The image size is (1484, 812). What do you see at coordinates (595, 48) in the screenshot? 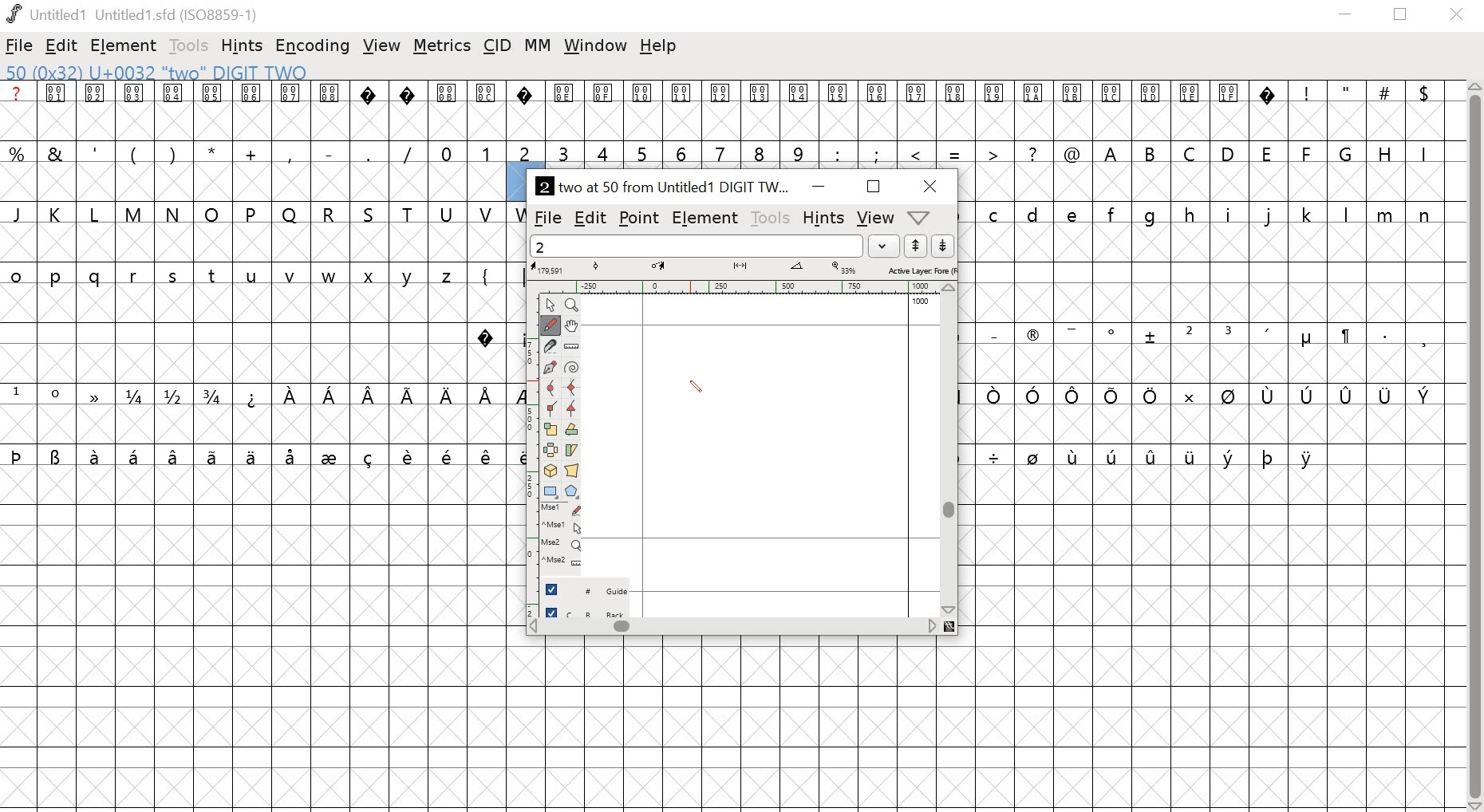
I see `window` at bounding box center [595, 48].